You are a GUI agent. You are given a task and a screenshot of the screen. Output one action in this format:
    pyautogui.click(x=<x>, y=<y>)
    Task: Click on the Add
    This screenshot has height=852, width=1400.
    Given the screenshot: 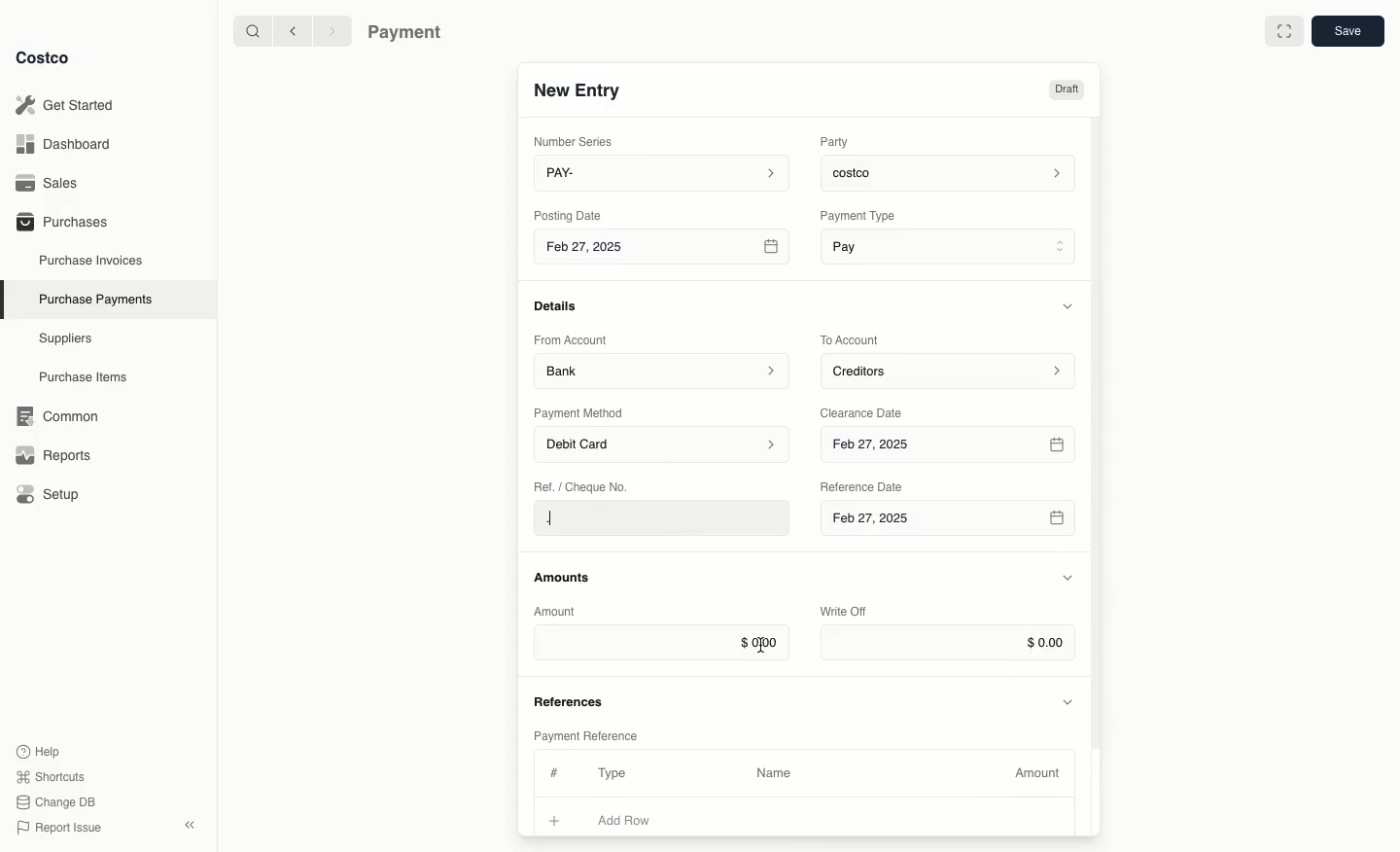 What is the action you would take?
    pyautogui.click(x=555, y=818)
    